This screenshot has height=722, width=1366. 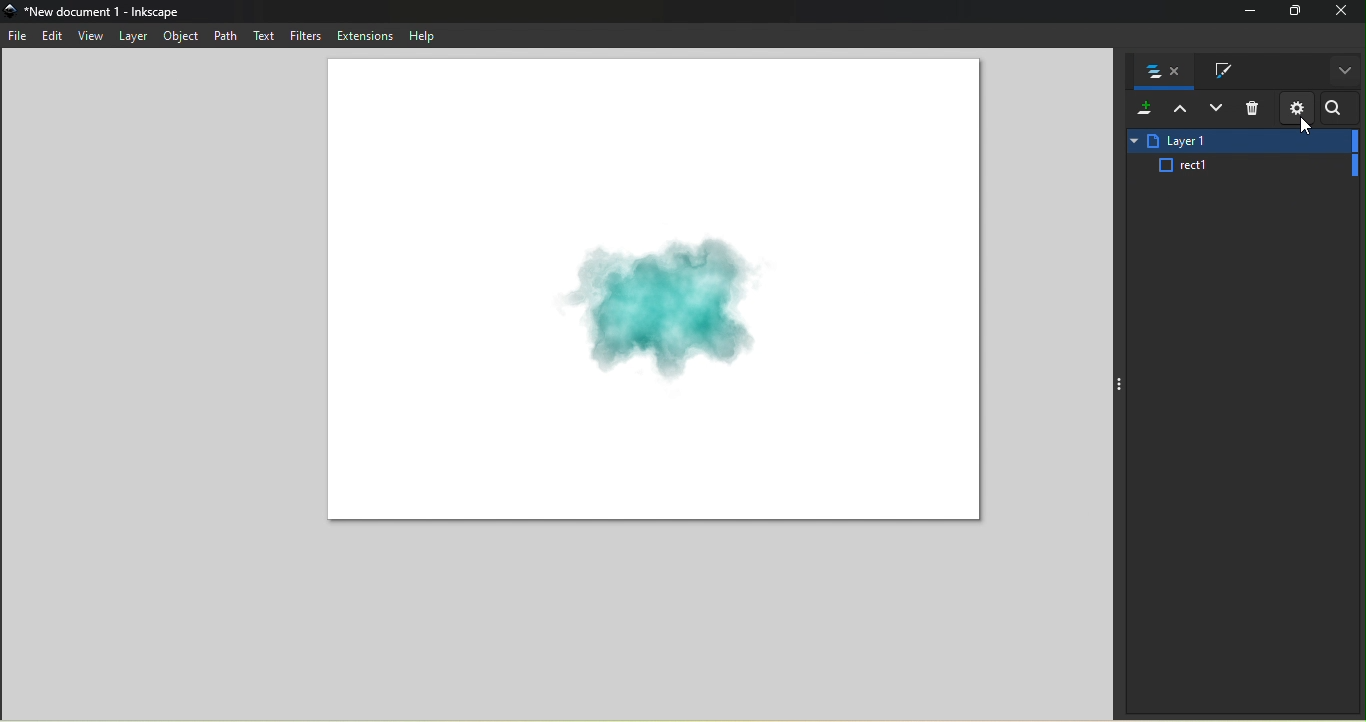 What do you see at coordinates (364, 35) in the screenshot?
I see `Extensions` at bounding box center [364, 35].